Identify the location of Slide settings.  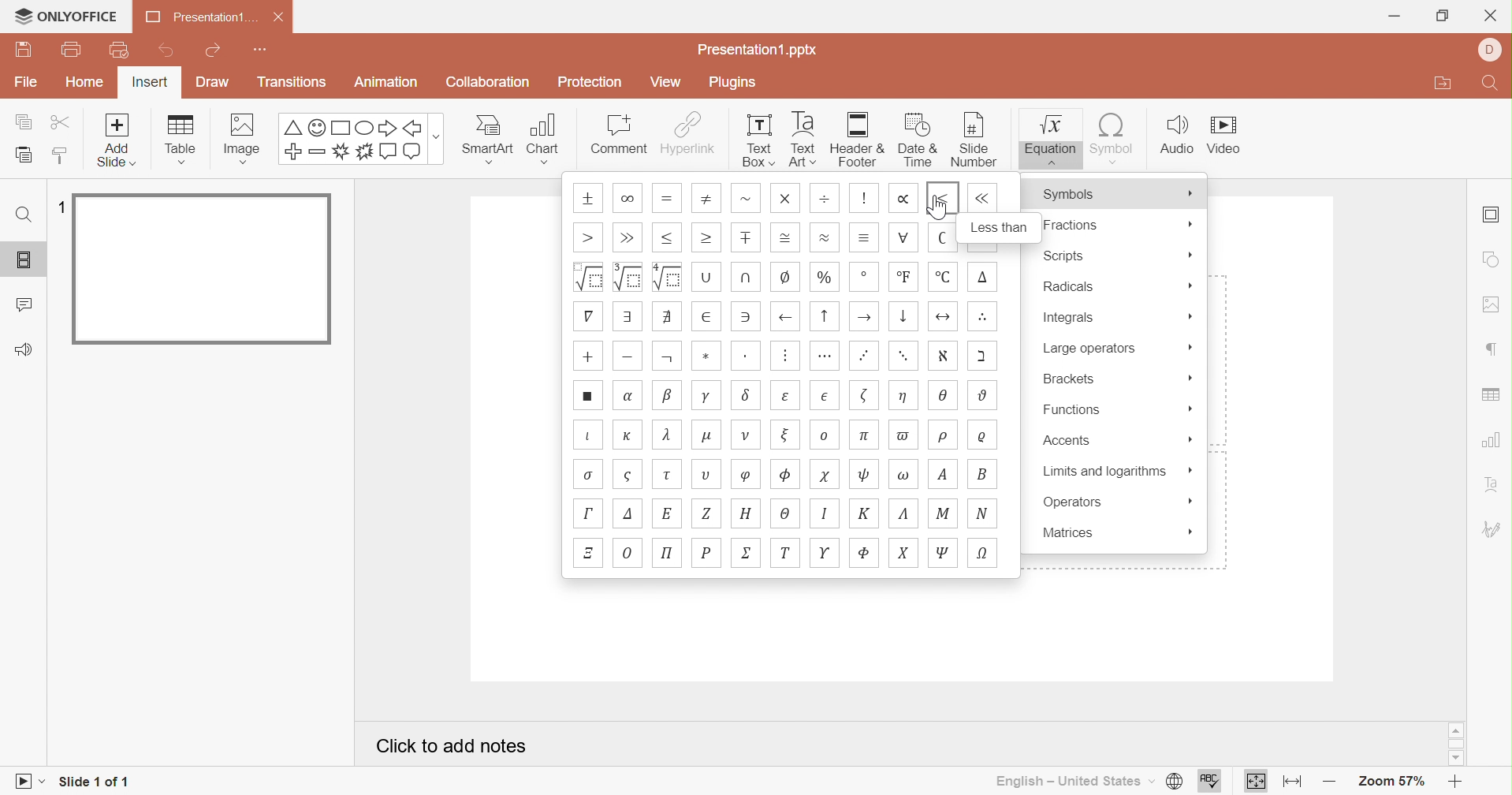
(1492, 212).